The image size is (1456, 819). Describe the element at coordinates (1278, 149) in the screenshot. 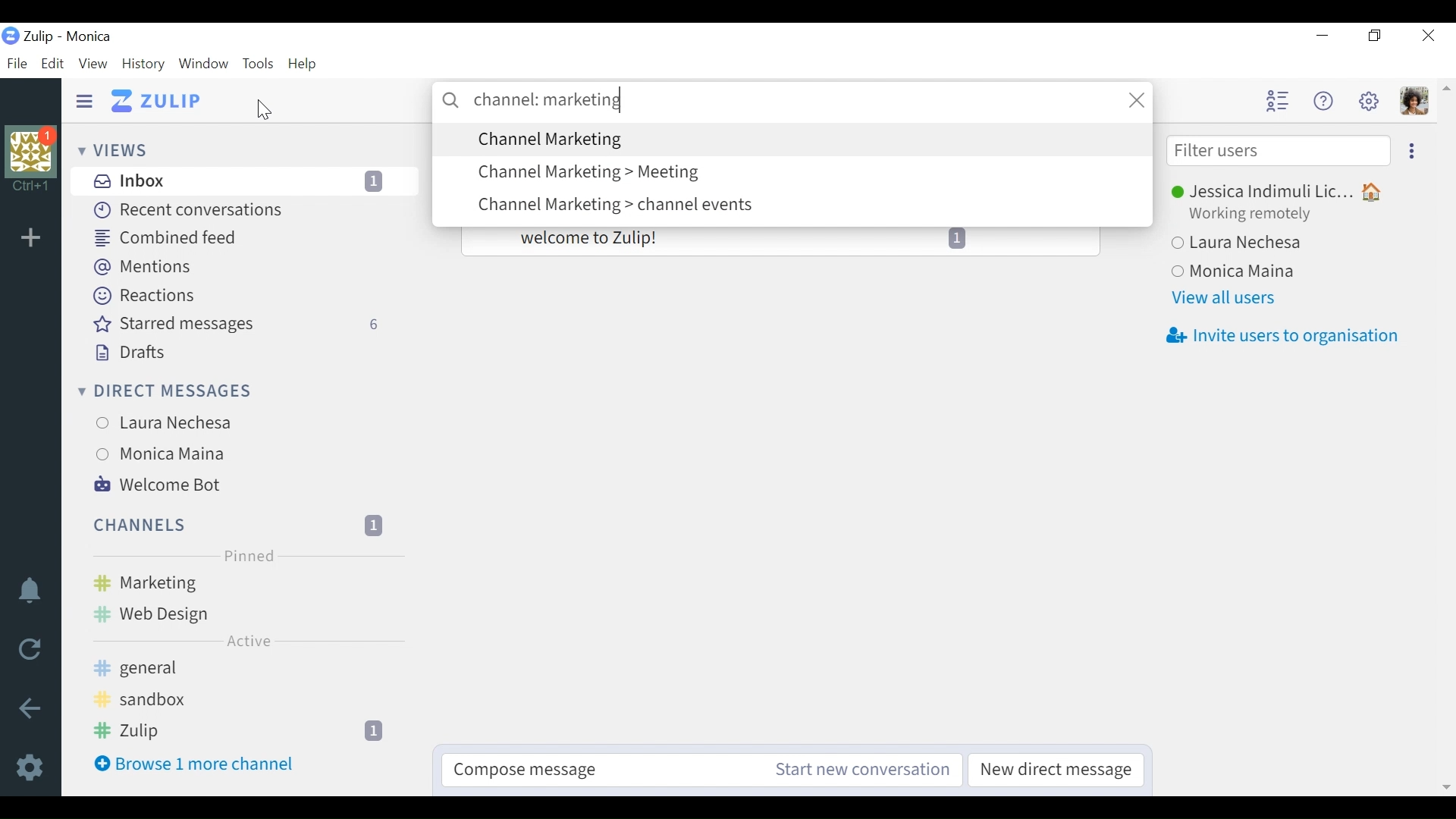

I see `Filter users` at that location.